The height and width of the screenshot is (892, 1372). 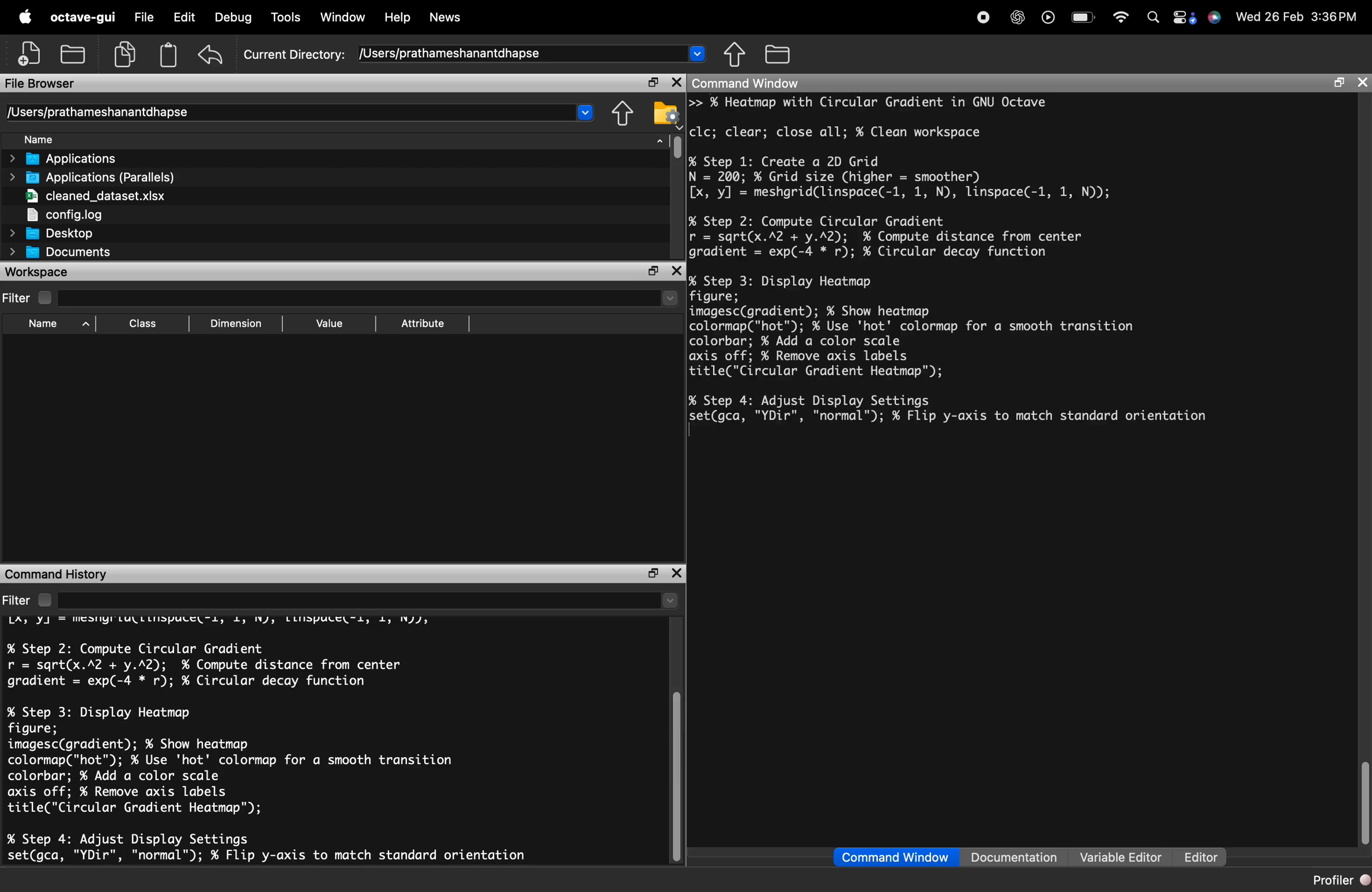 What do you see at coordinates (1118, 857) in the screenshot?
I see `Variable Editor` at bounding box center [1118, 857].